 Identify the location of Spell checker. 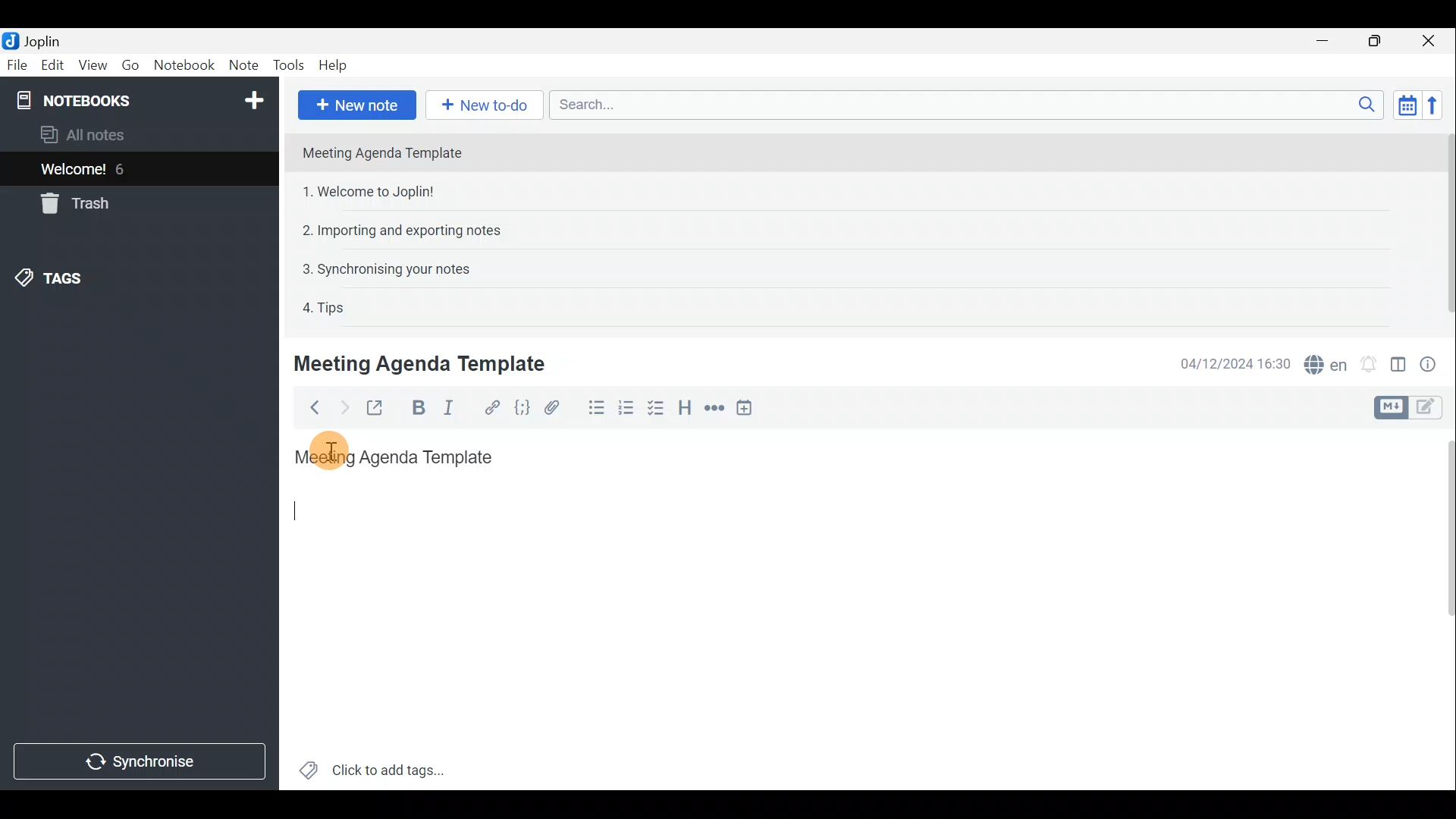
(1327, 362).